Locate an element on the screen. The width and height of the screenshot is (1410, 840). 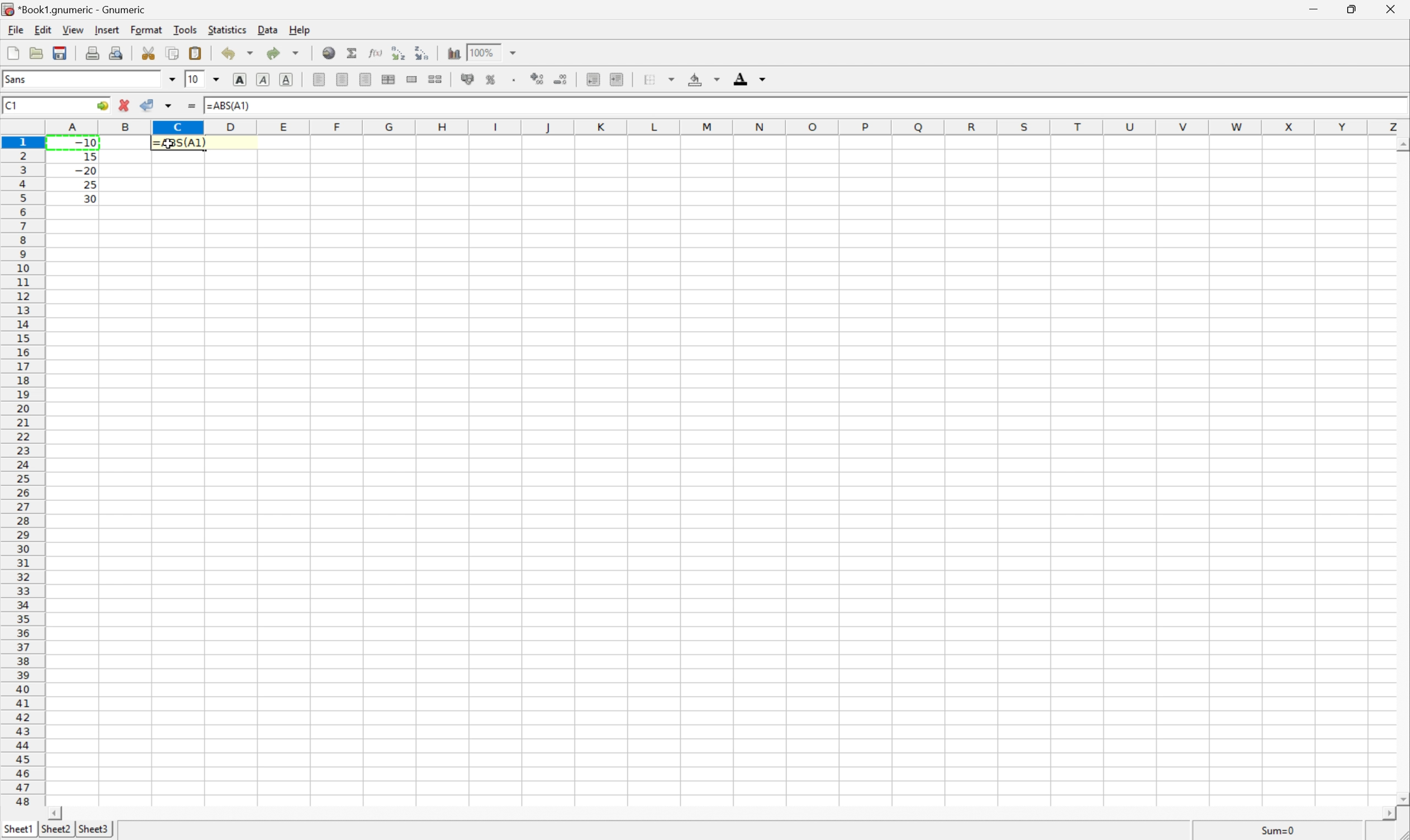
Accept change in multiple cells is located at coordinates (171, 106).